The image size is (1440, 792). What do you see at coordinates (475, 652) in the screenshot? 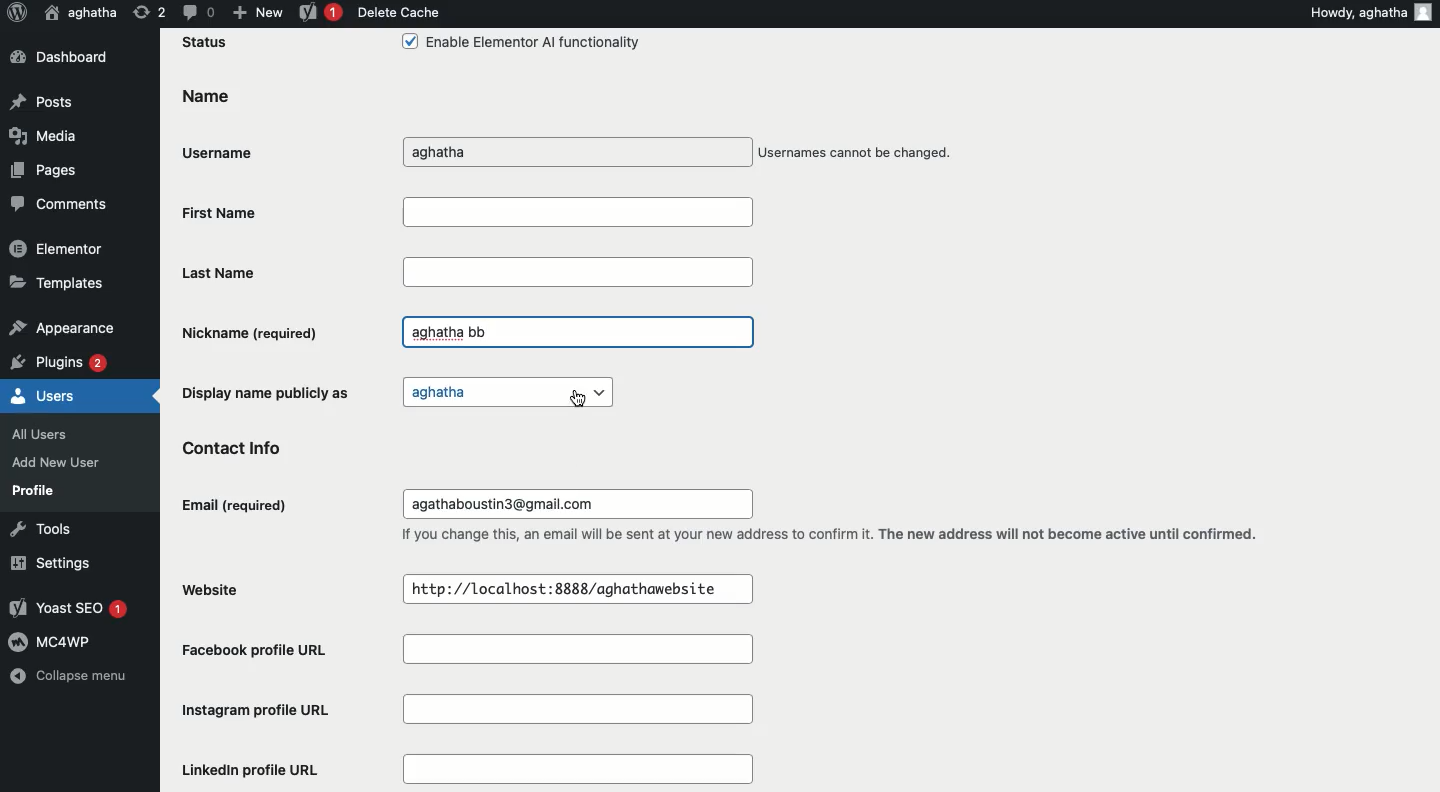
I see `Facebook profile URL` at bounding box center [475, 652].